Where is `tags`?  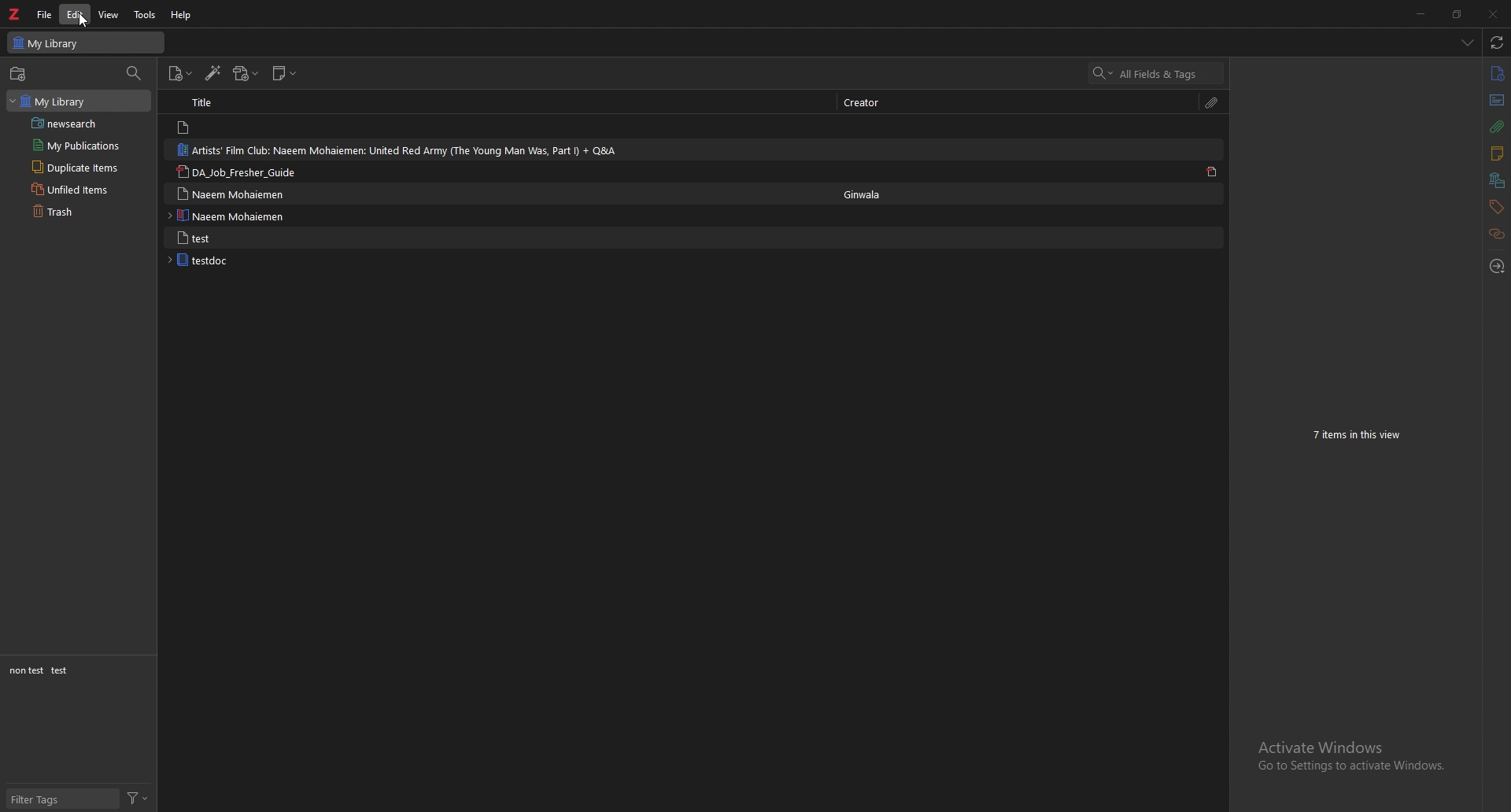
tags is located at coordinates (1494, 207).